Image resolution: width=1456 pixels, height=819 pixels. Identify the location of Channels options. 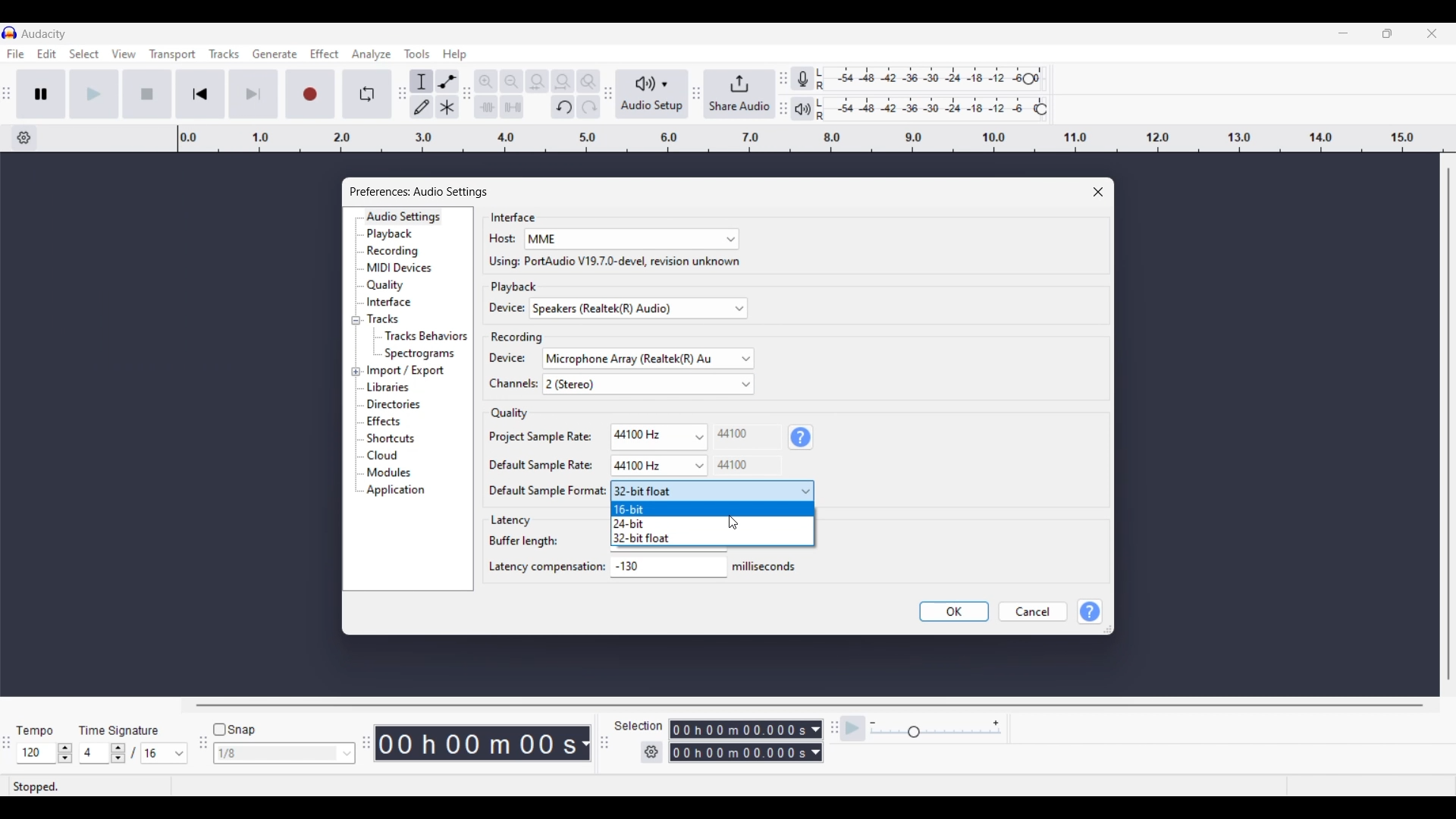
(648, 384).